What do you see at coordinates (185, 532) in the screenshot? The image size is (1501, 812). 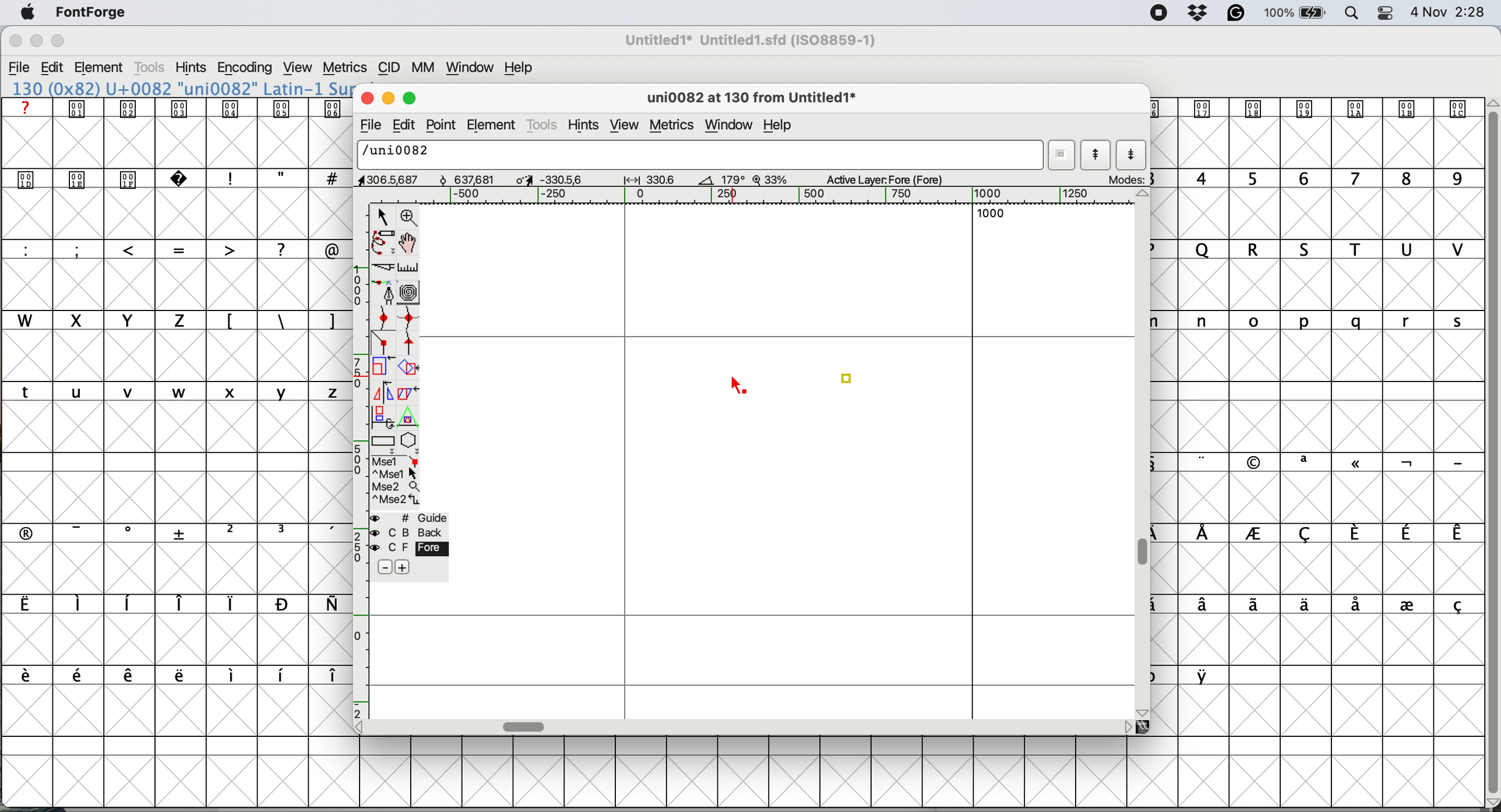 I see `symbols` at bounding box center [185, 532].